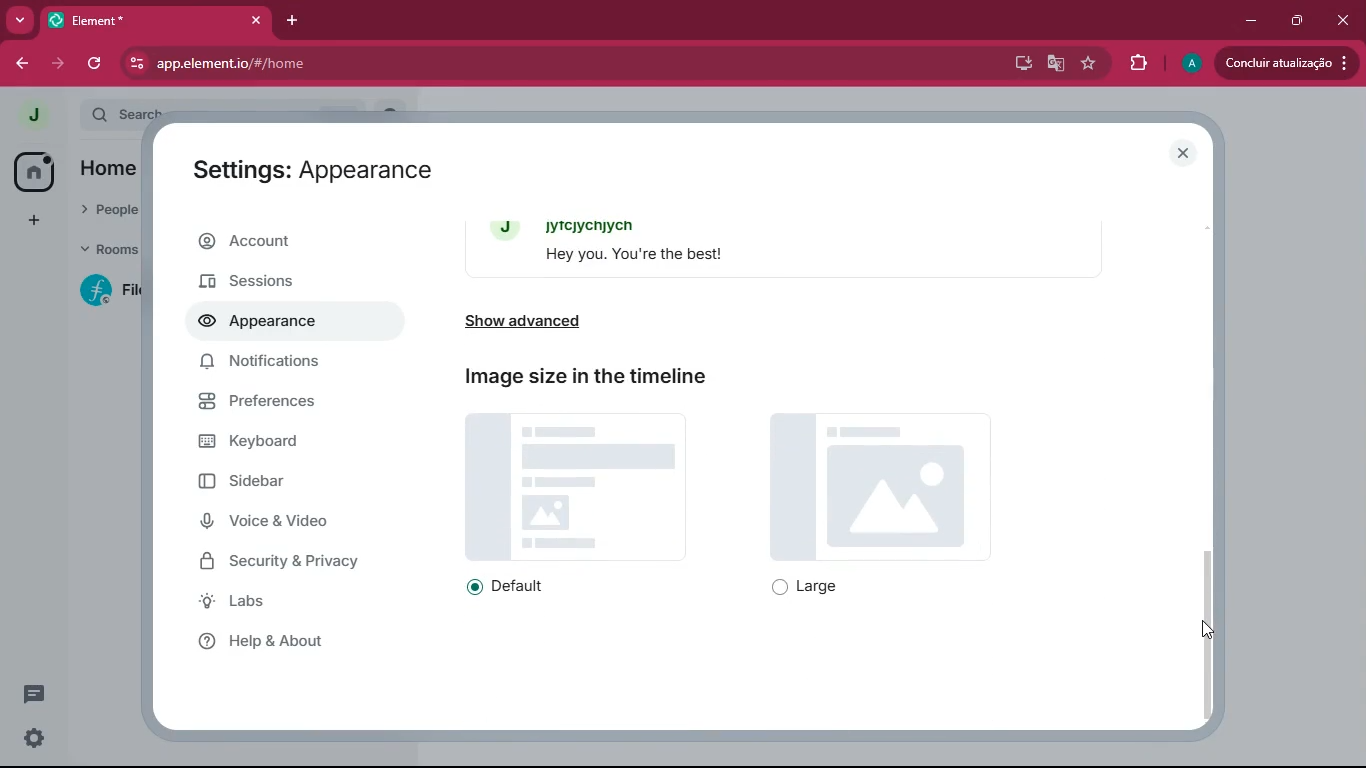  I want to click on back, so click(21, 63).